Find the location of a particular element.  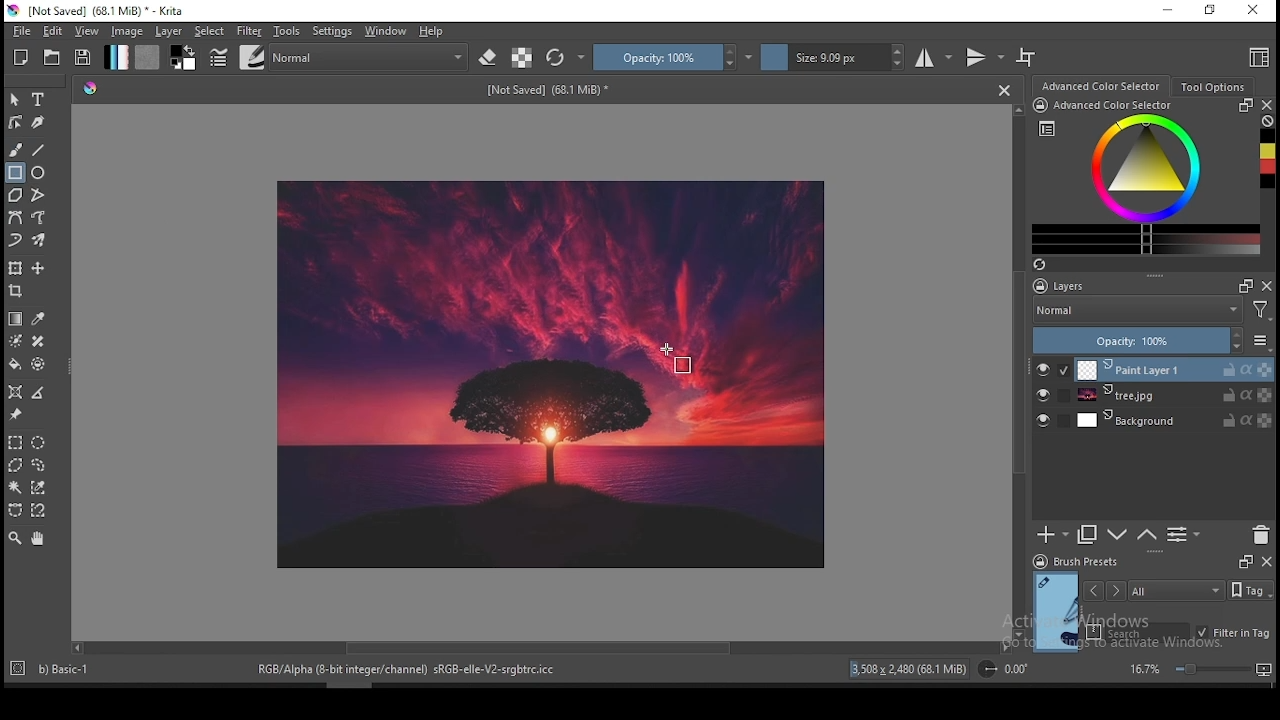

close docker is located at coordinates (1268, 105).